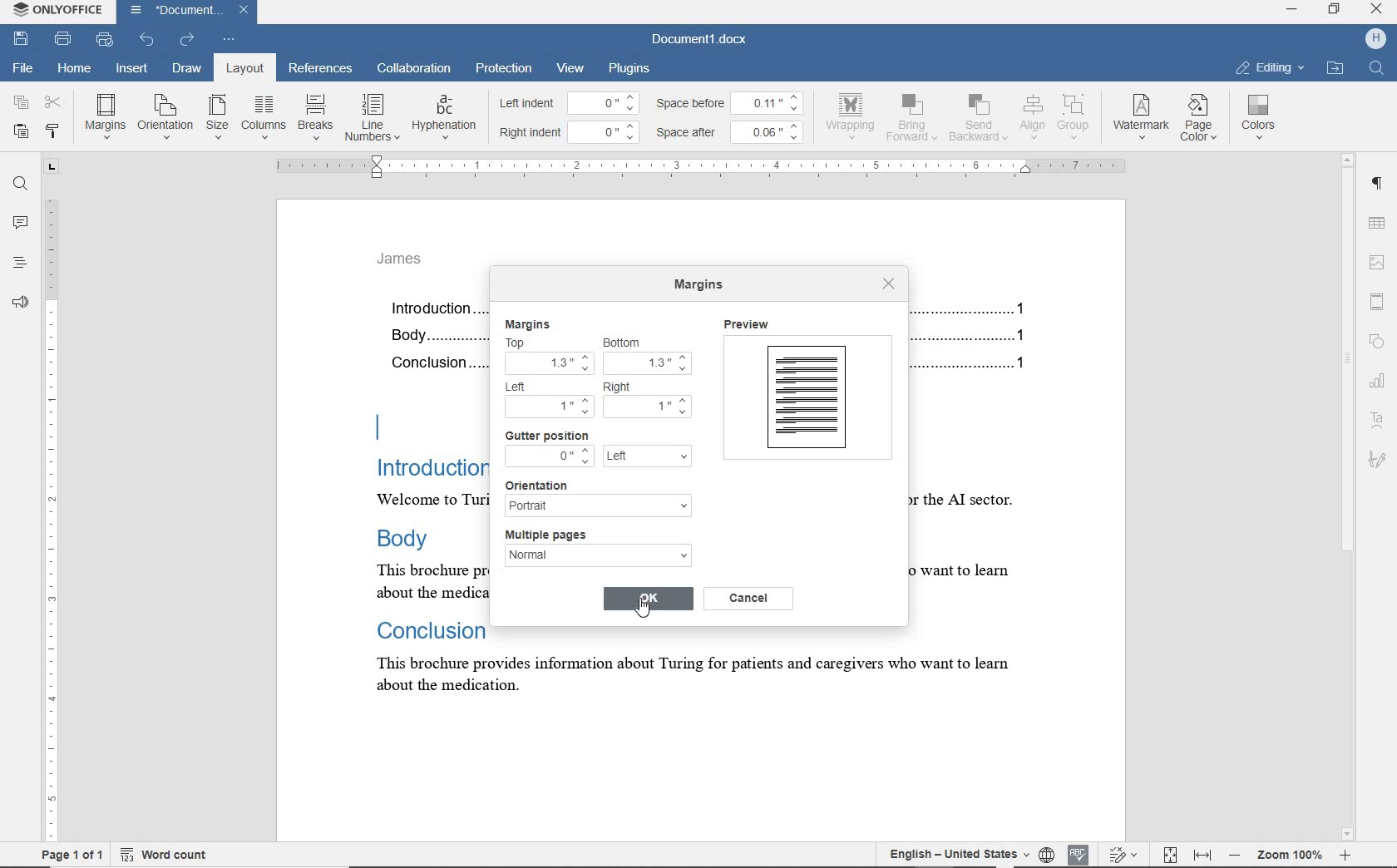  I want to click on print, so click(63, 38).